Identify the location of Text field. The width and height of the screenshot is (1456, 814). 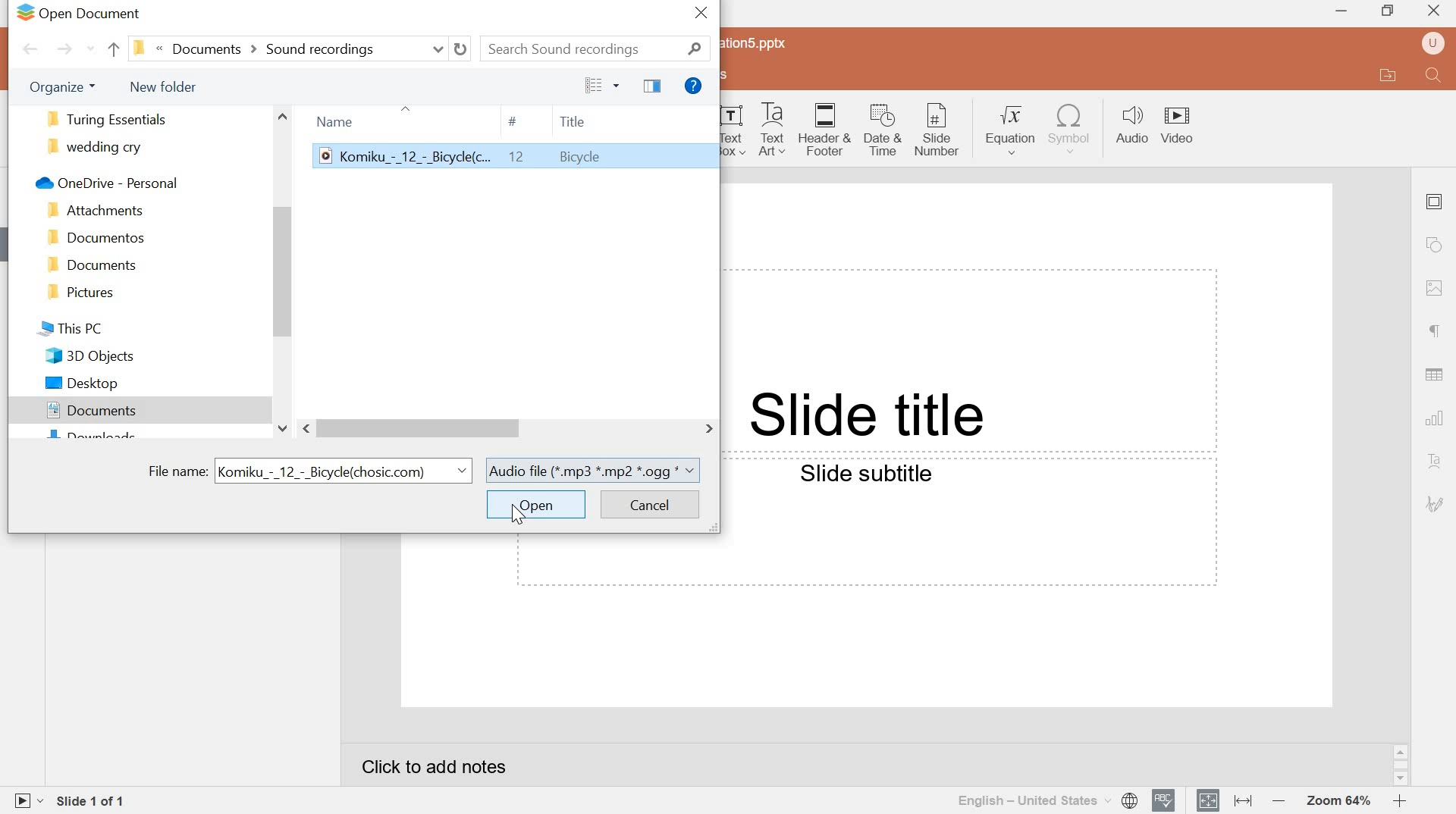
(973, 525).